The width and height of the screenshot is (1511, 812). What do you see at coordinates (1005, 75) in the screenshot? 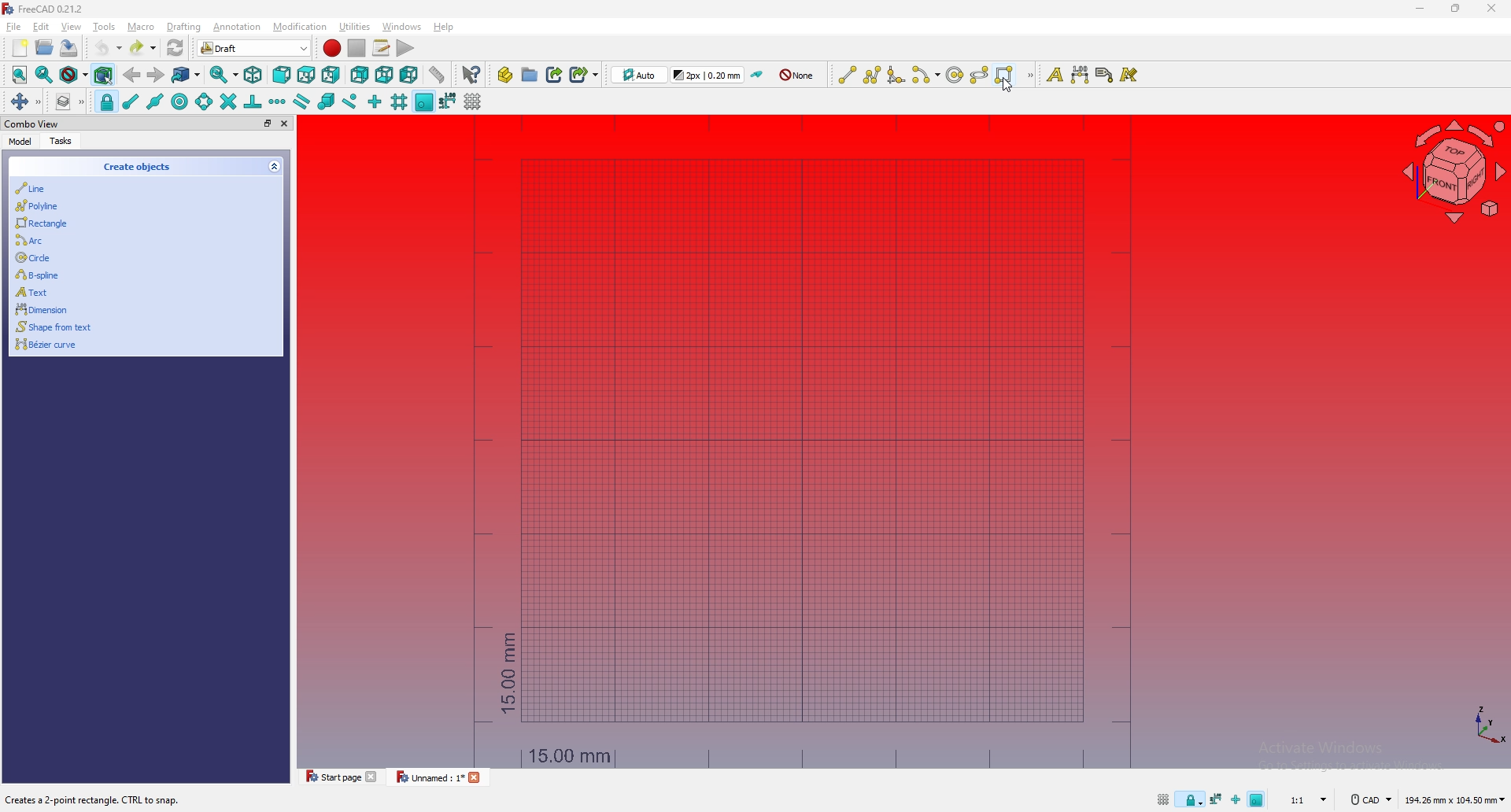
I see `rectangle` at bounding box center [1005, 75].